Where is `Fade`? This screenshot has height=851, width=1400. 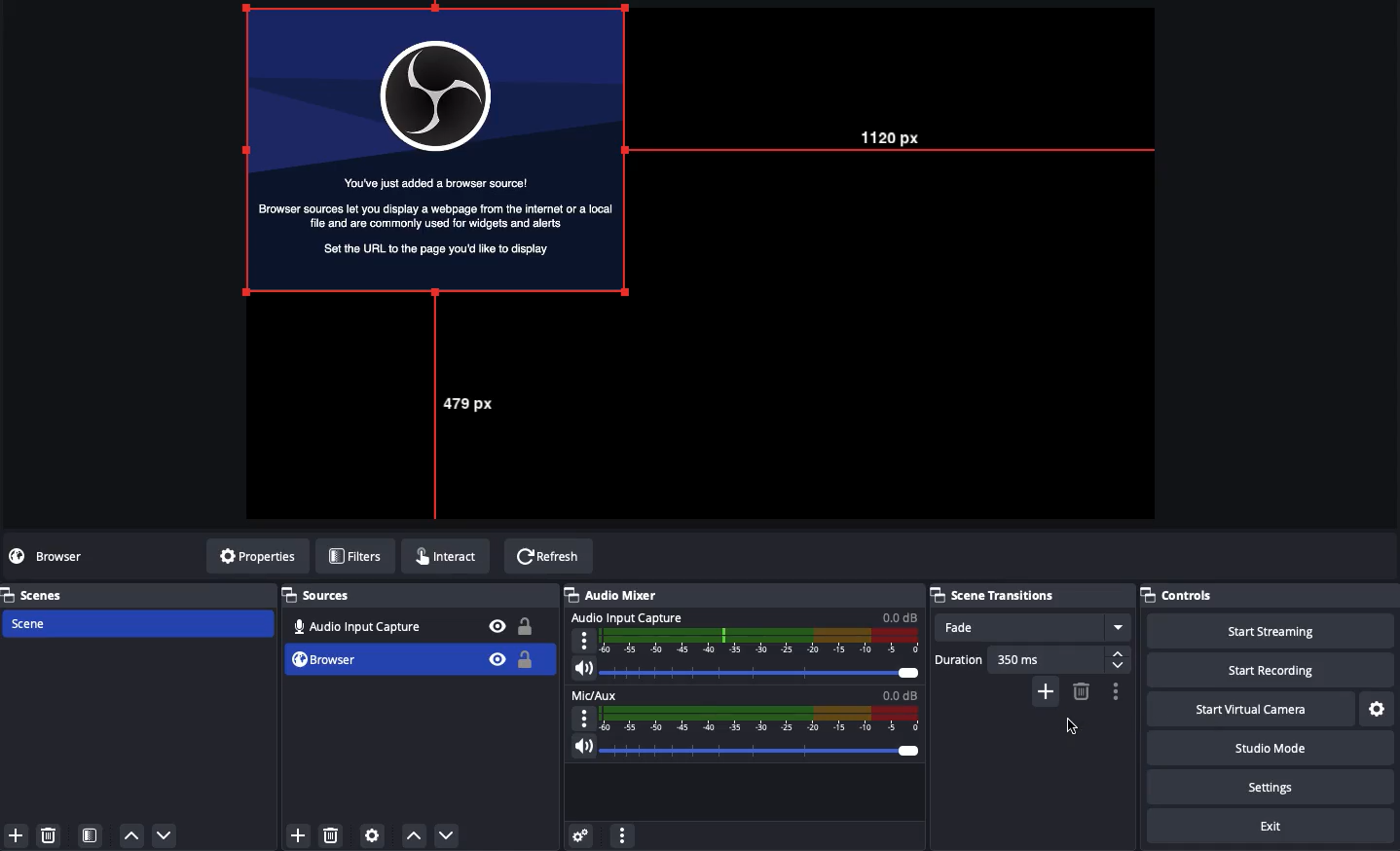
Fade is located at coordinates (1033, 627).